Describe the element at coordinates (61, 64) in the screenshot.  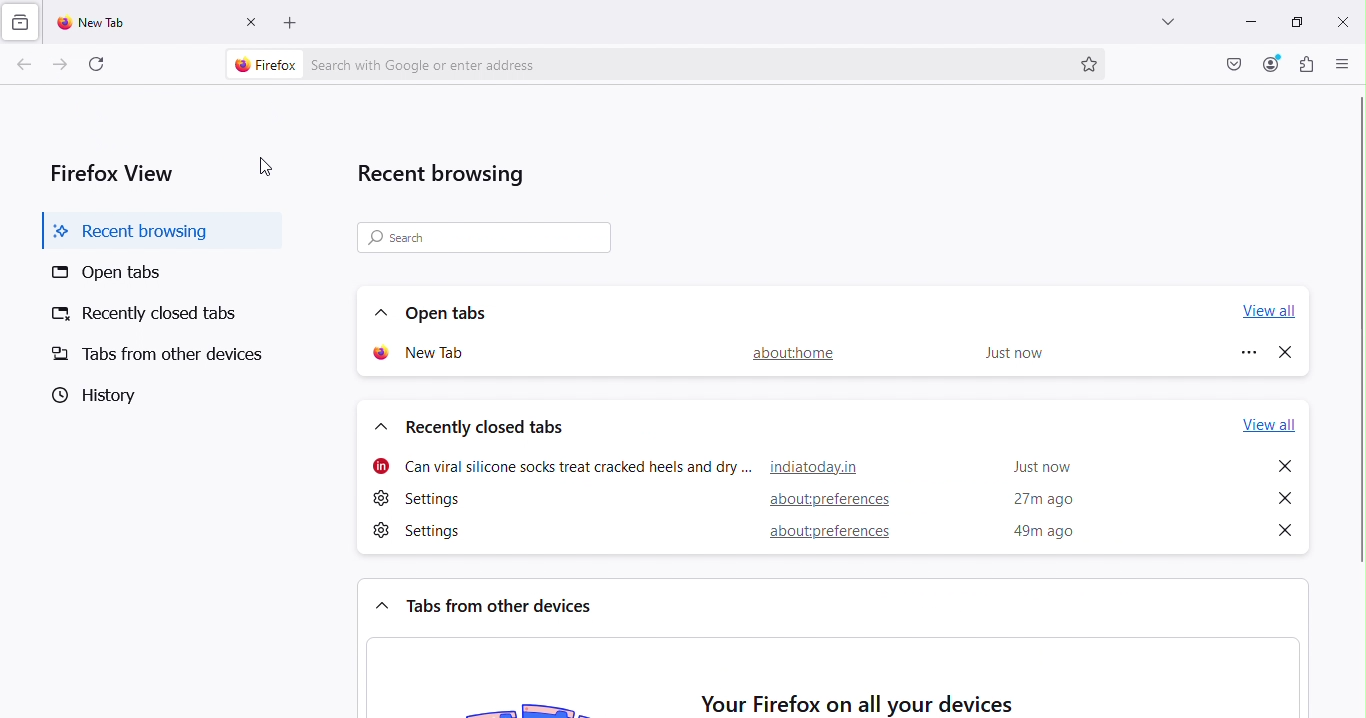
I see `Go forward one page` at that location.